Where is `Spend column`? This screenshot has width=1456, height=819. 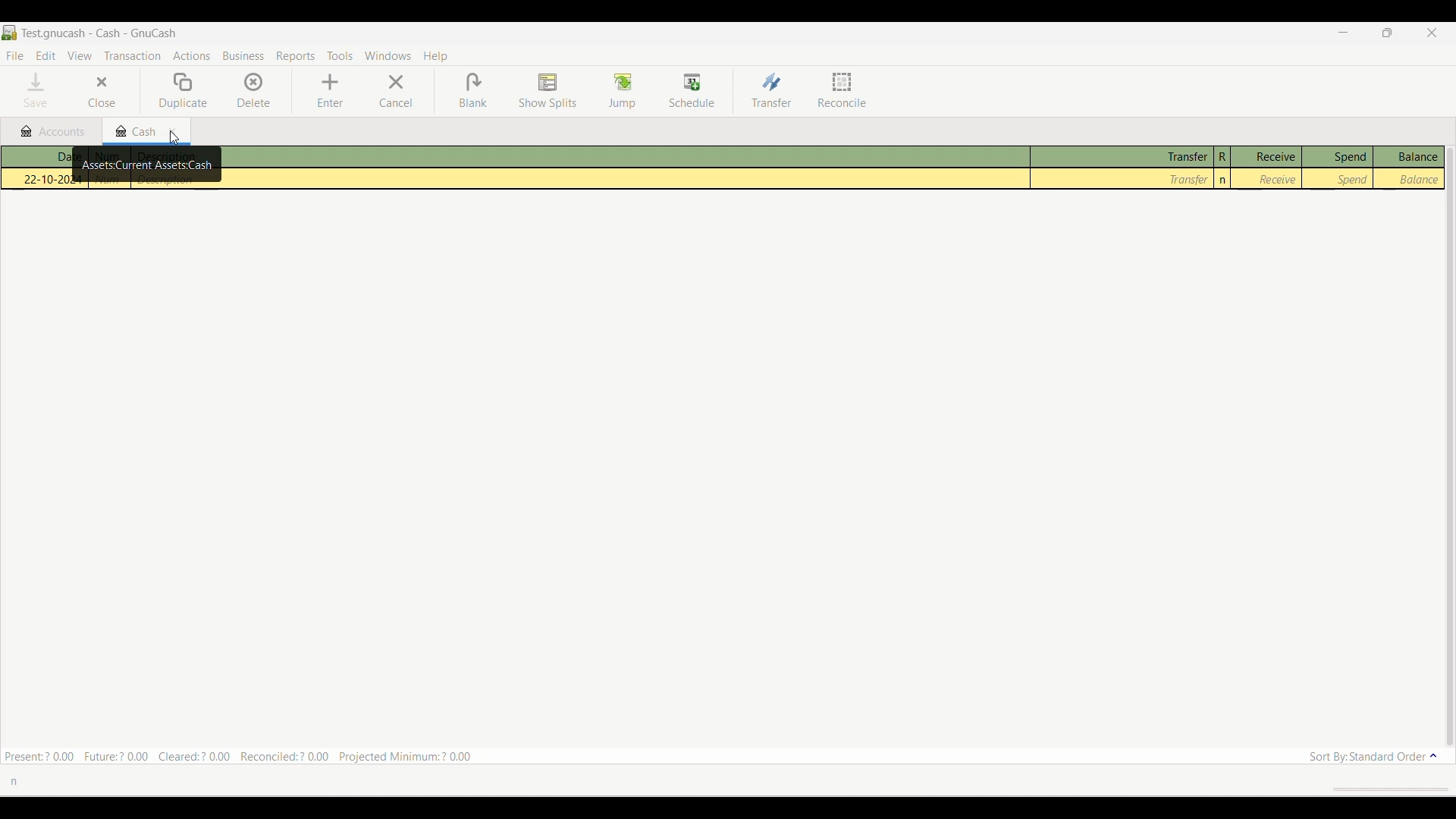
Spend column is located at coordinates (1338, 157).